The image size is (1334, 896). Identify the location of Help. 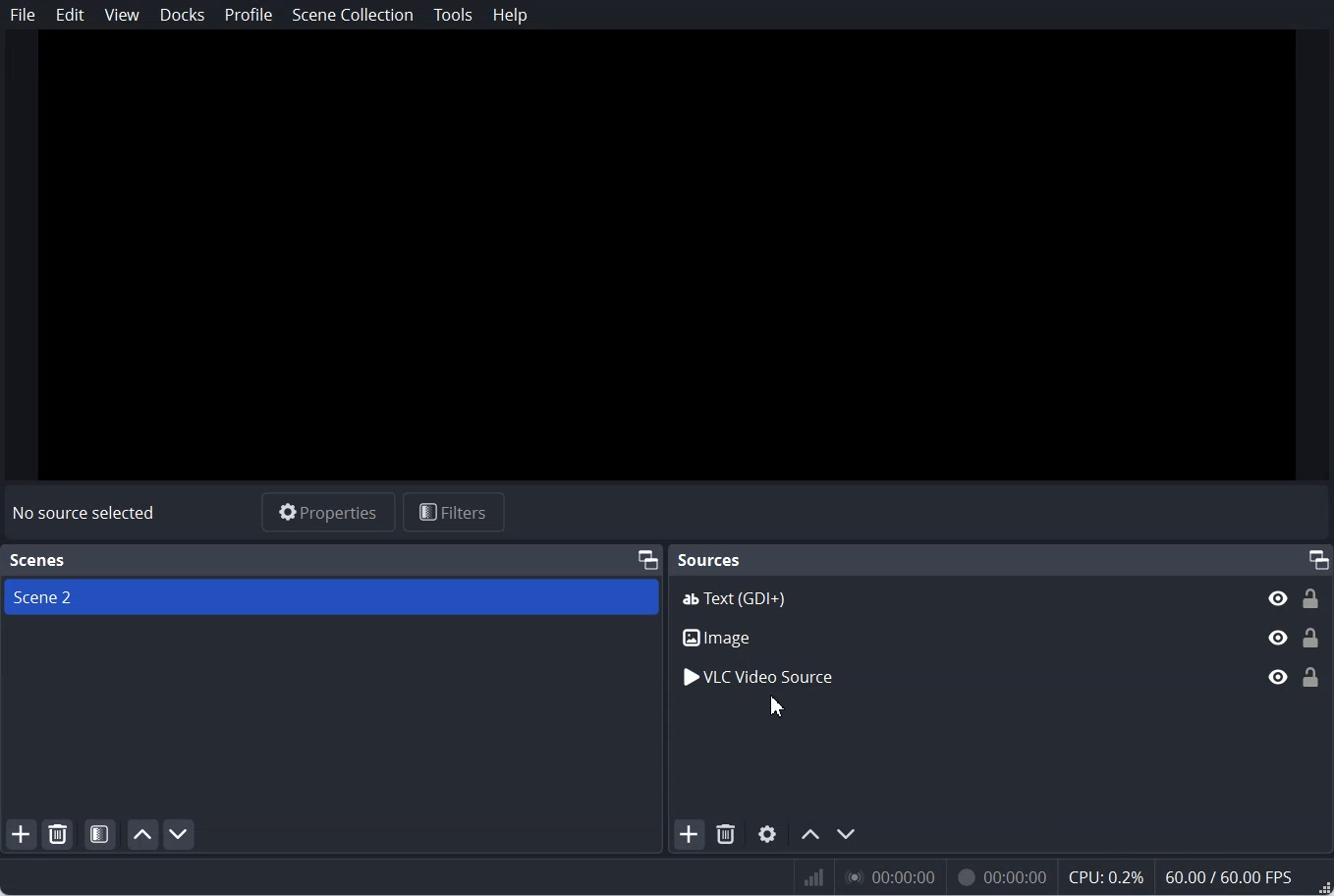
(511, 16).